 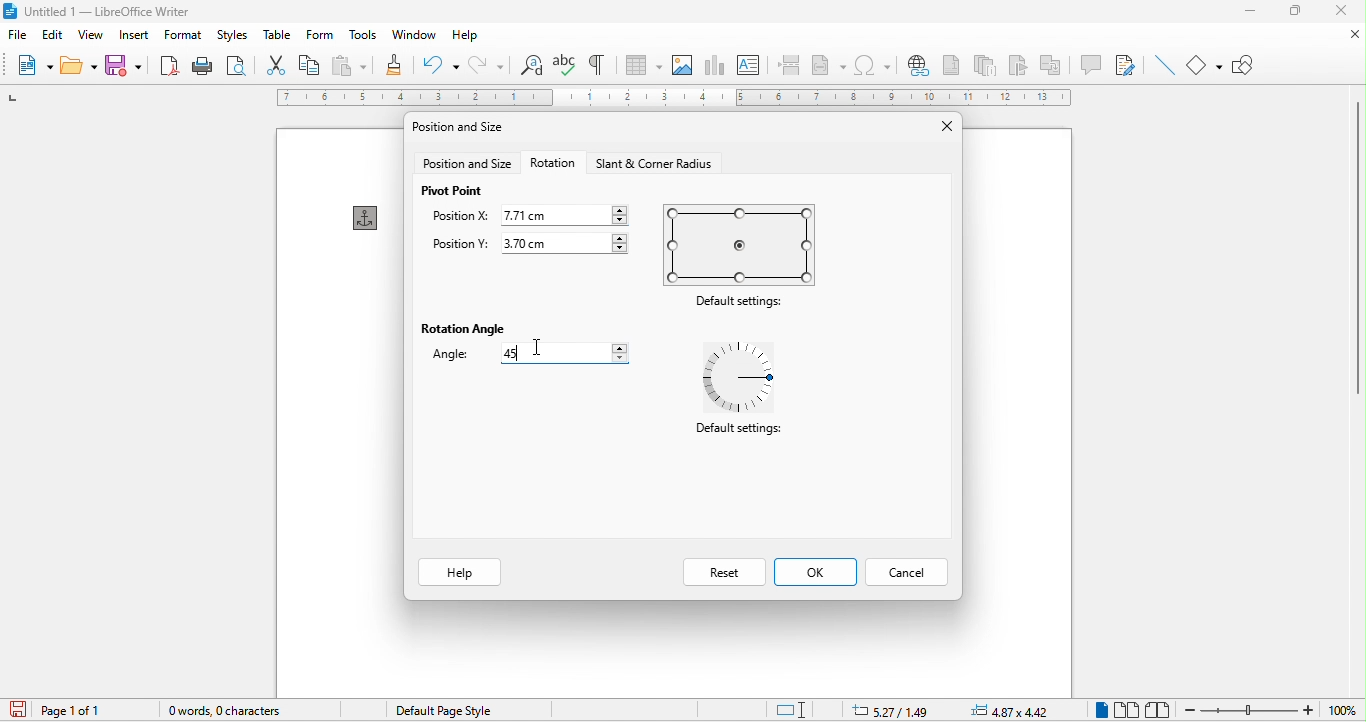 What do you see at coordinates (685, 64) in the screenshot?
I see `image` at bounding box center [685, 64].